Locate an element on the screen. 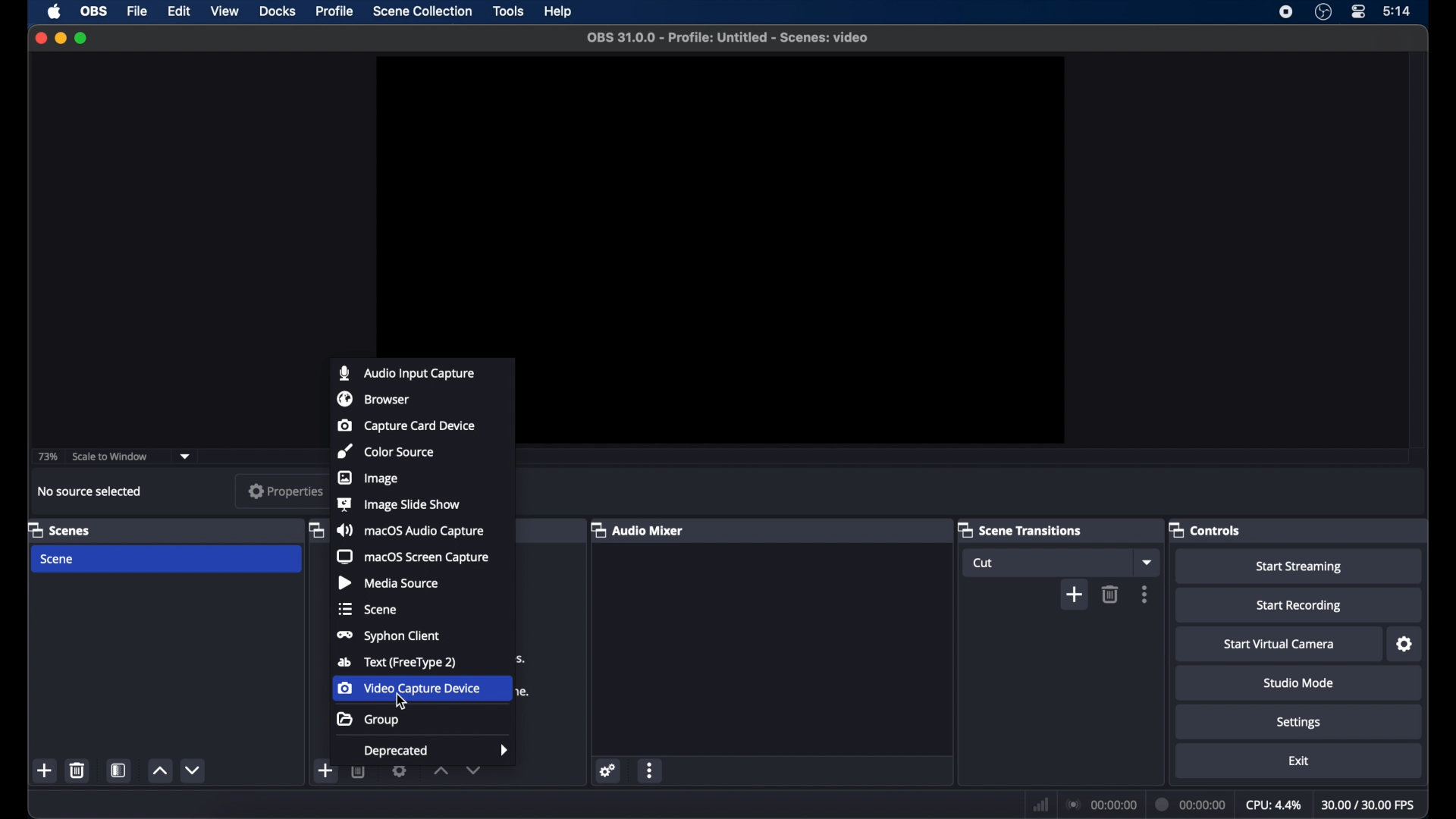  profile is located at coordinates (336, 11).